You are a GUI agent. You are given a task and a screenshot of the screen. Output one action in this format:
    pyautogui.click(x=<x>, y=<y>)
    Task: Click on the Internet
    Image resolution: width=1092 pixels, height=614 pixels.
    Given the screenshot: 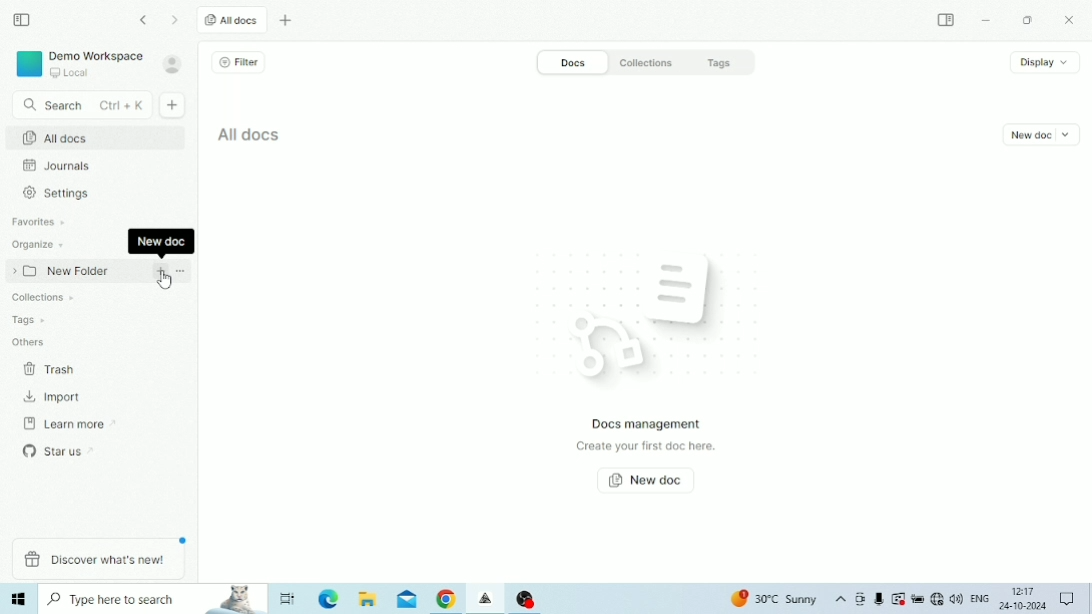 What is the action you would take?
    pyautogui.click(x=936, y=599)
    